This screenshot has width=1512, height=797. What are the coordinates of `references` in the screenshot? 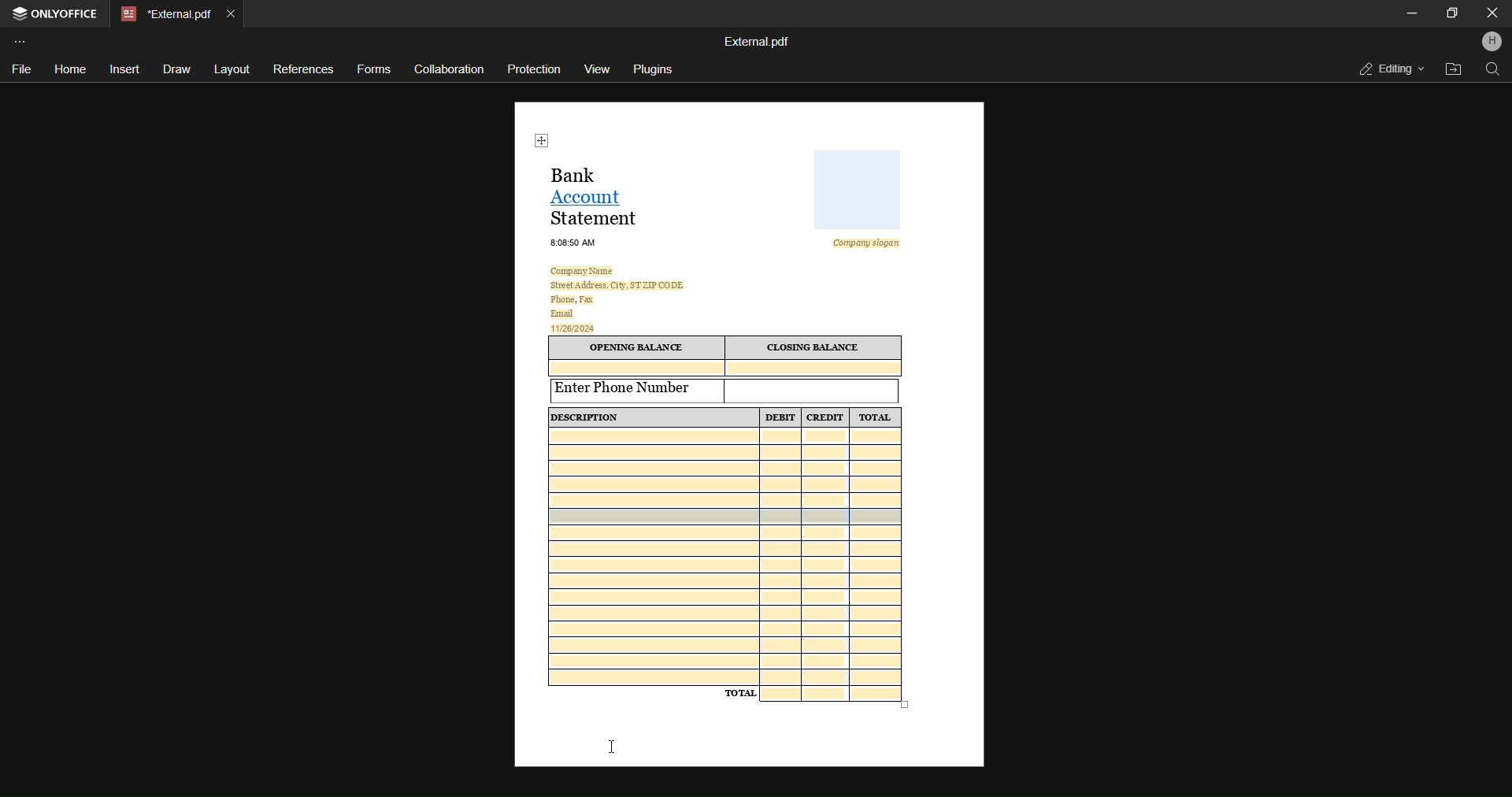 It's located at (305, 68).